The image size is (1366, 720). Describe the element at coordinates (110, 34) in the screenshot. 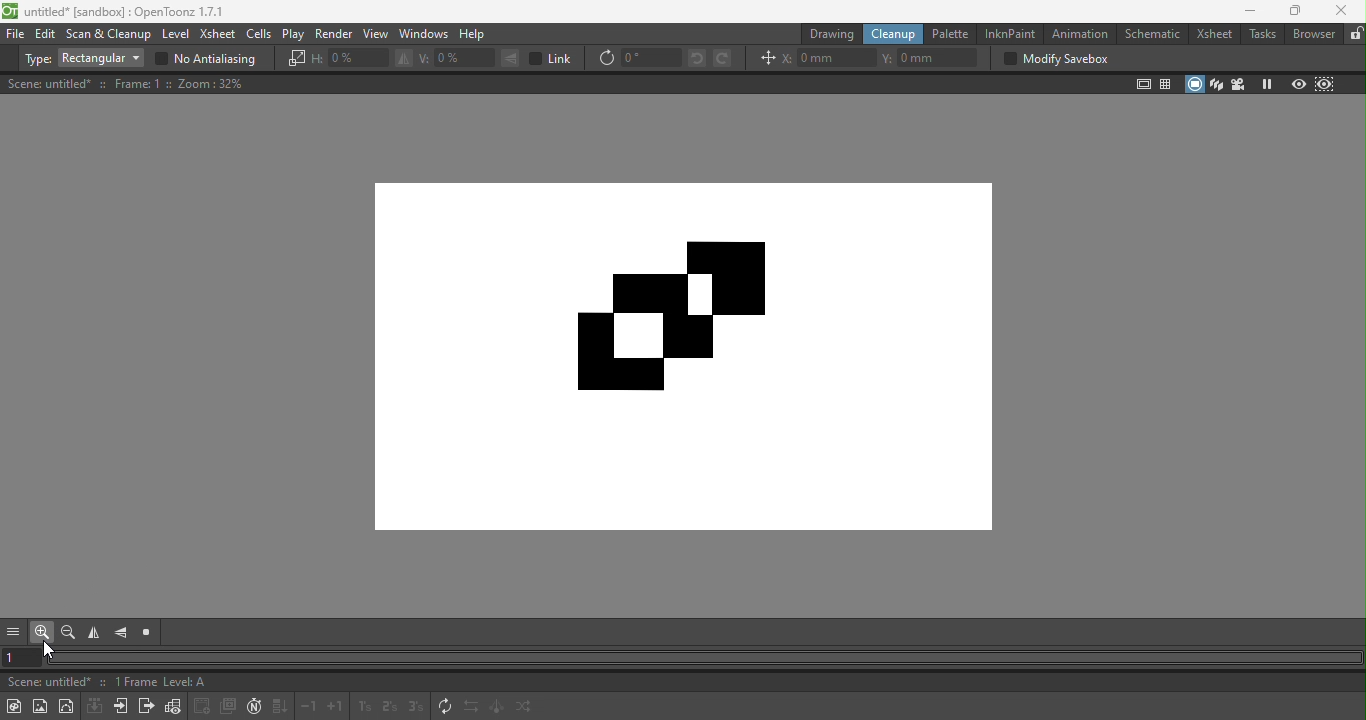

I see `Scan & Cleanup` at that location.